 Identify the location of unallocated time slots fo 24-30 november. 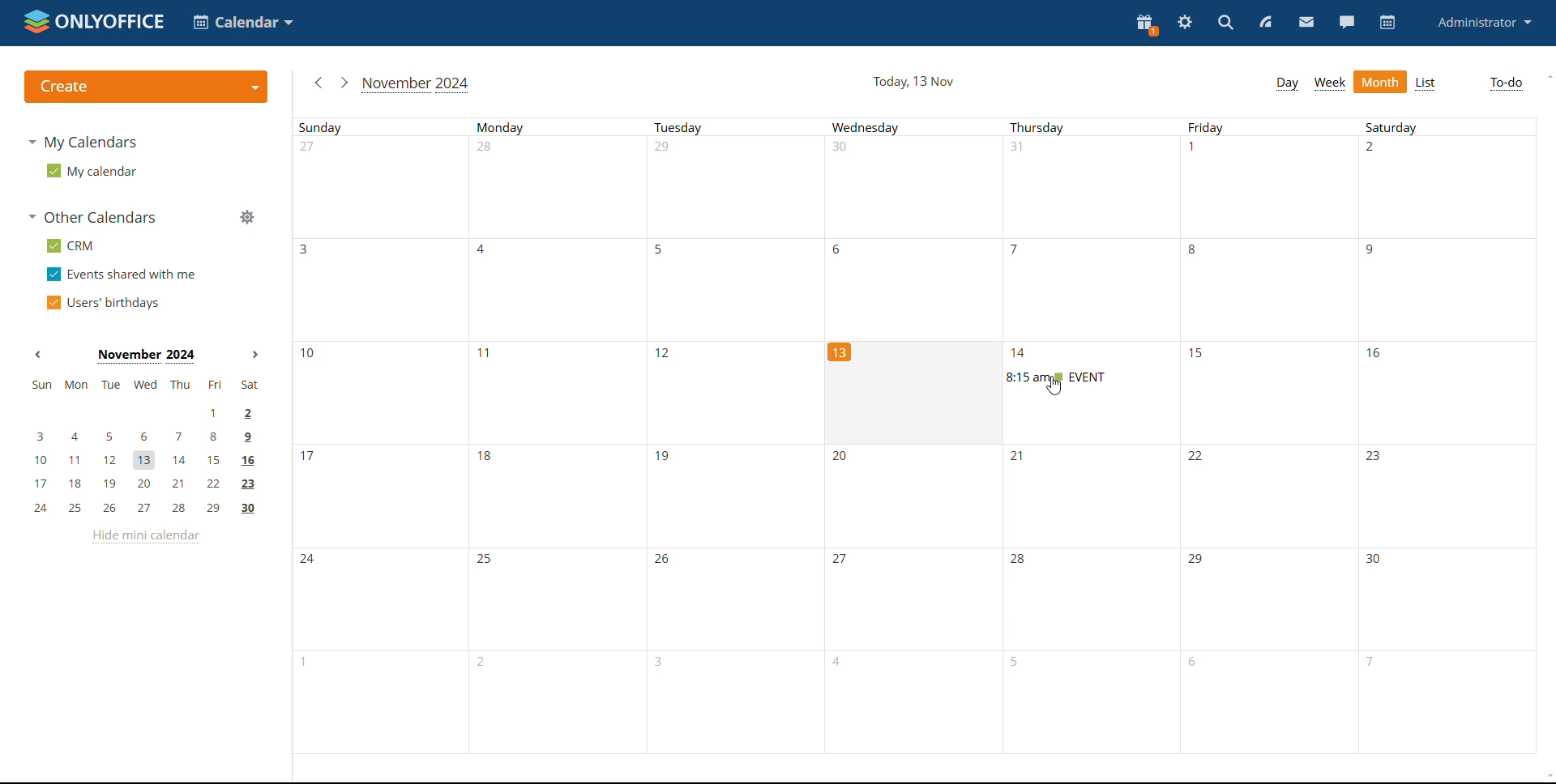
(927, 594).